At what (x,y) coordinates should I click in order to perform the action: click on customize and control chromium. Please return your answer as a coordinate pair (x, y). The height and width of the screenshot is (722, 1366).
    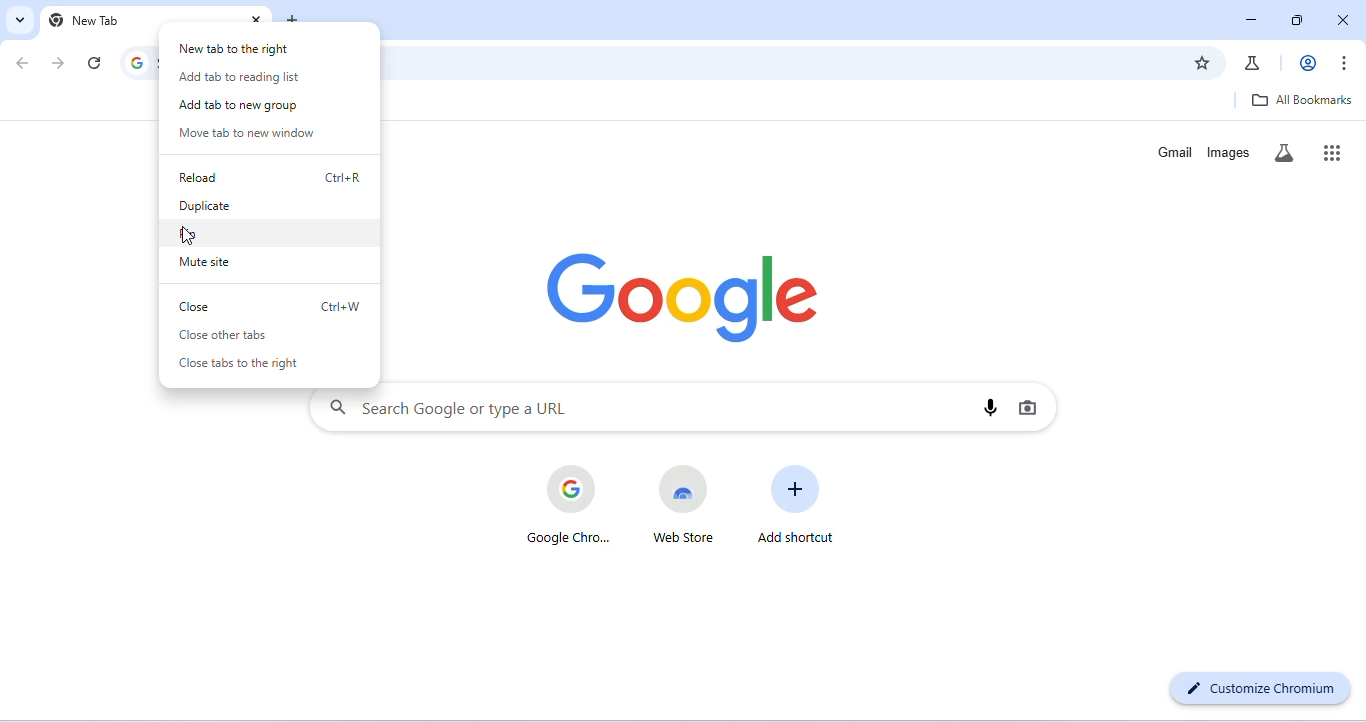
    Looking at the image, I should click on (1345, 61).